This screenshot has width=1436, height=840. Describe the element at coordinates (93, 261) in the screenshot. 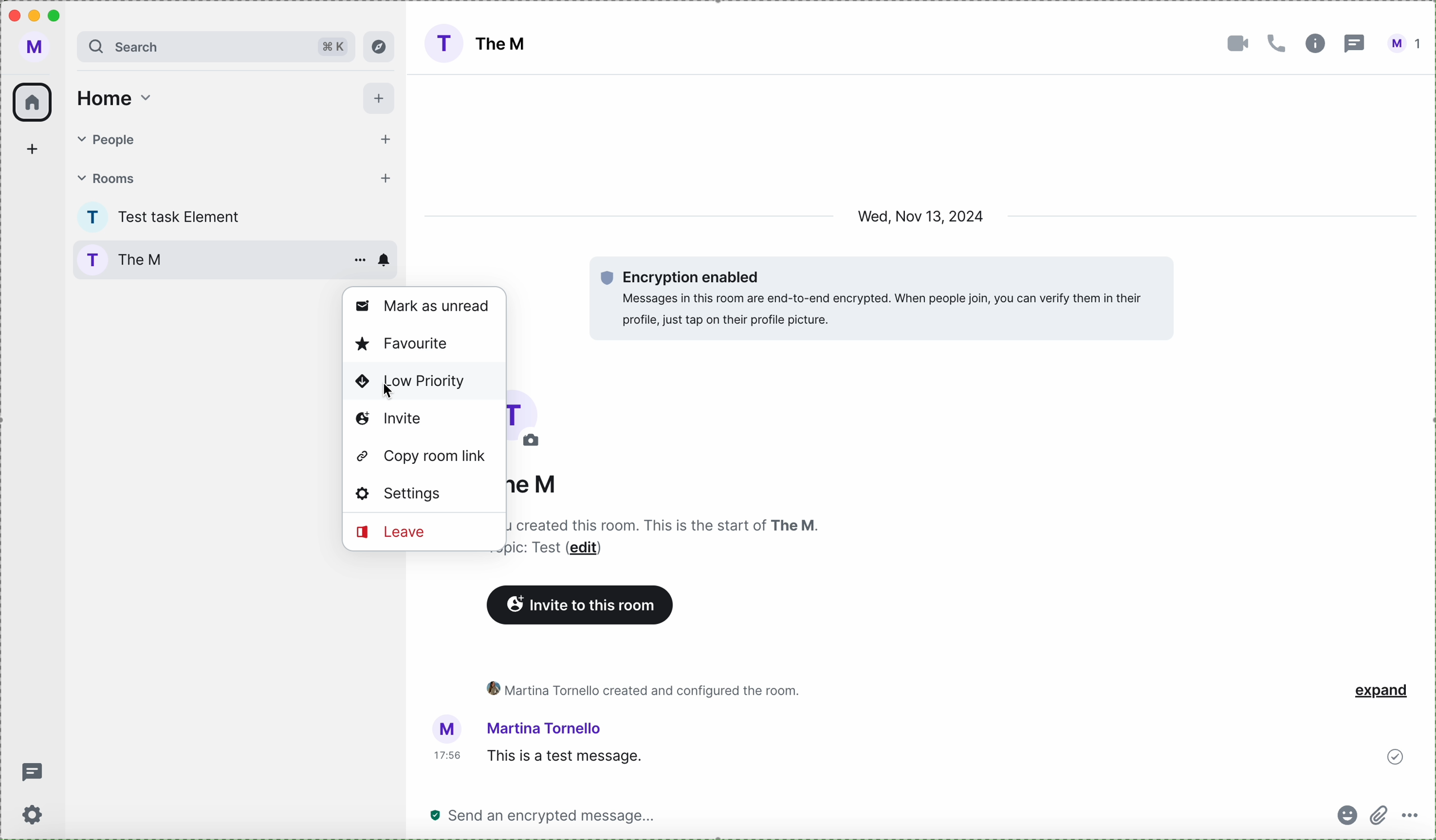

I see `profile` at that location.